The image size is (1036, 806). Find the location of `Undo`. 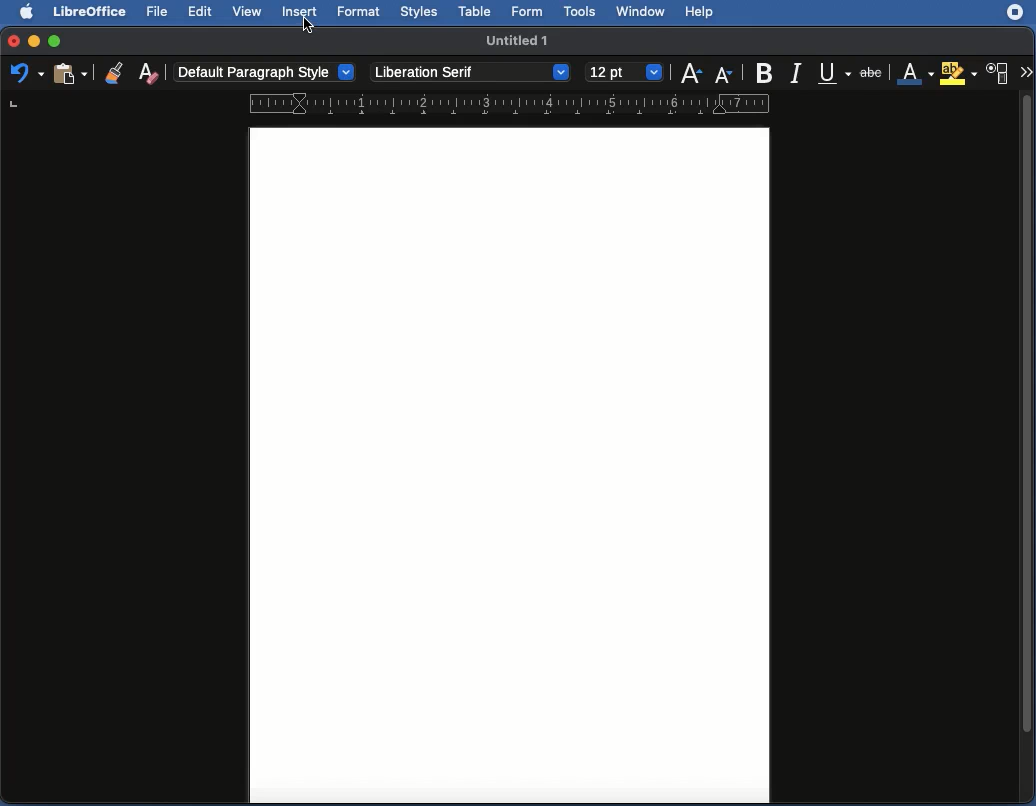

Undo is located at coordinates (28, 73).